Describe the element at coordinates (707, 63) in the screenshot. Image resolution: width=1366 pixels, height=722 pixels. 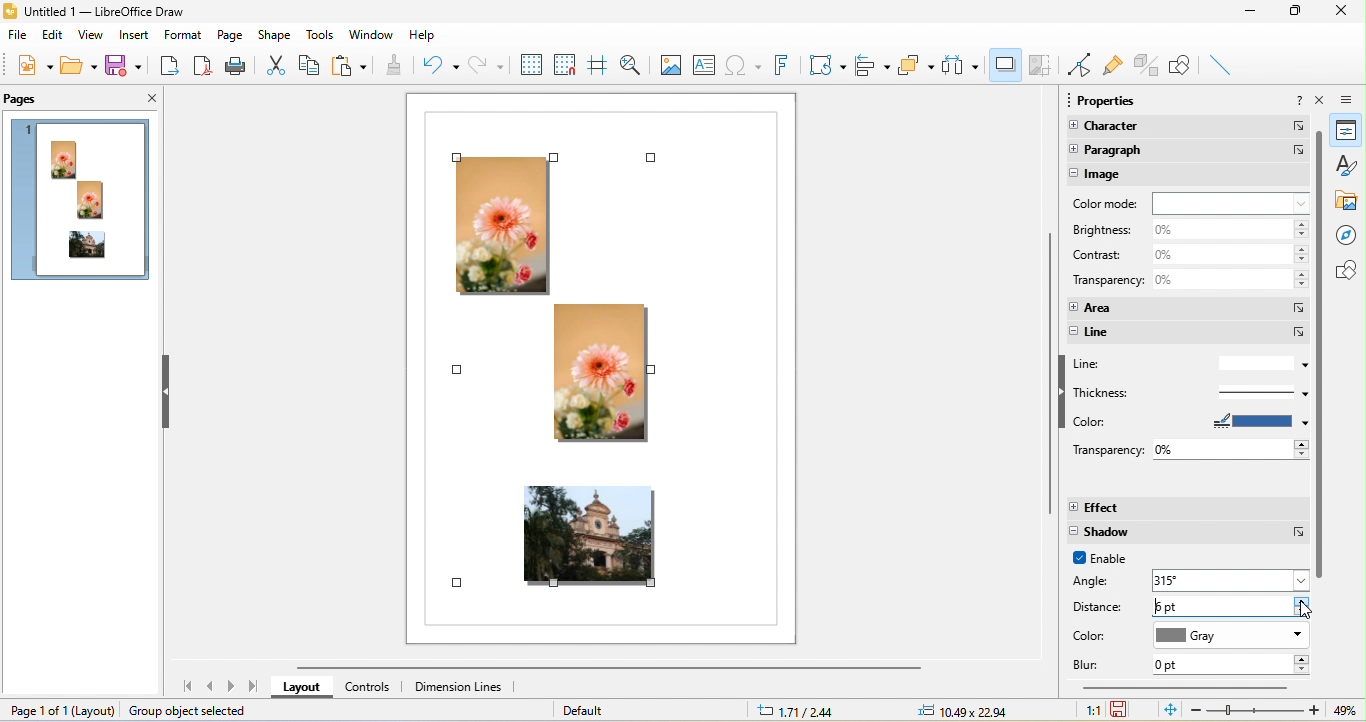
I see `text box` at that location.